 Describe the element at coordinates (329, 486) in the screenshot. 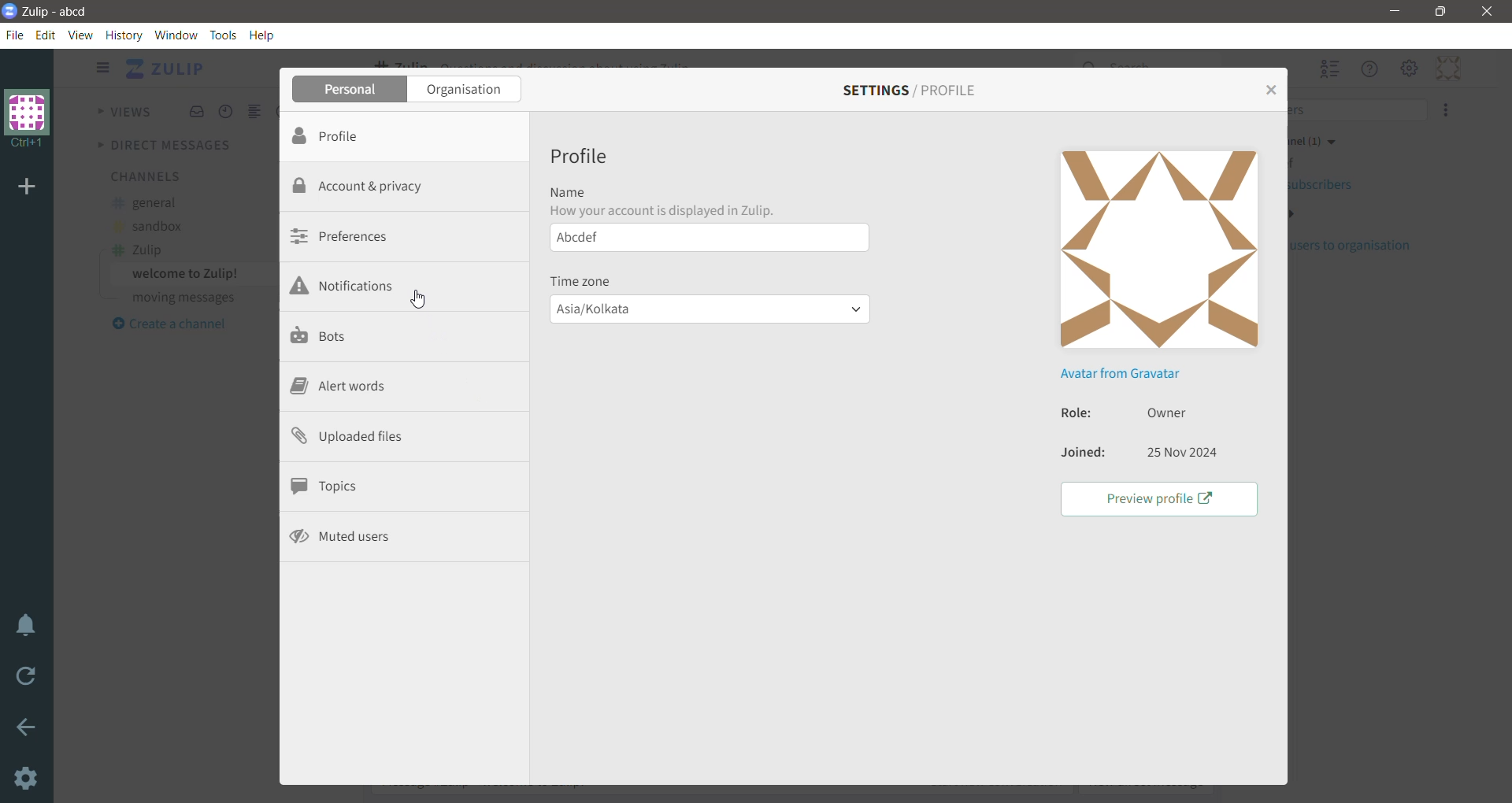

I see `Topics` at that location.